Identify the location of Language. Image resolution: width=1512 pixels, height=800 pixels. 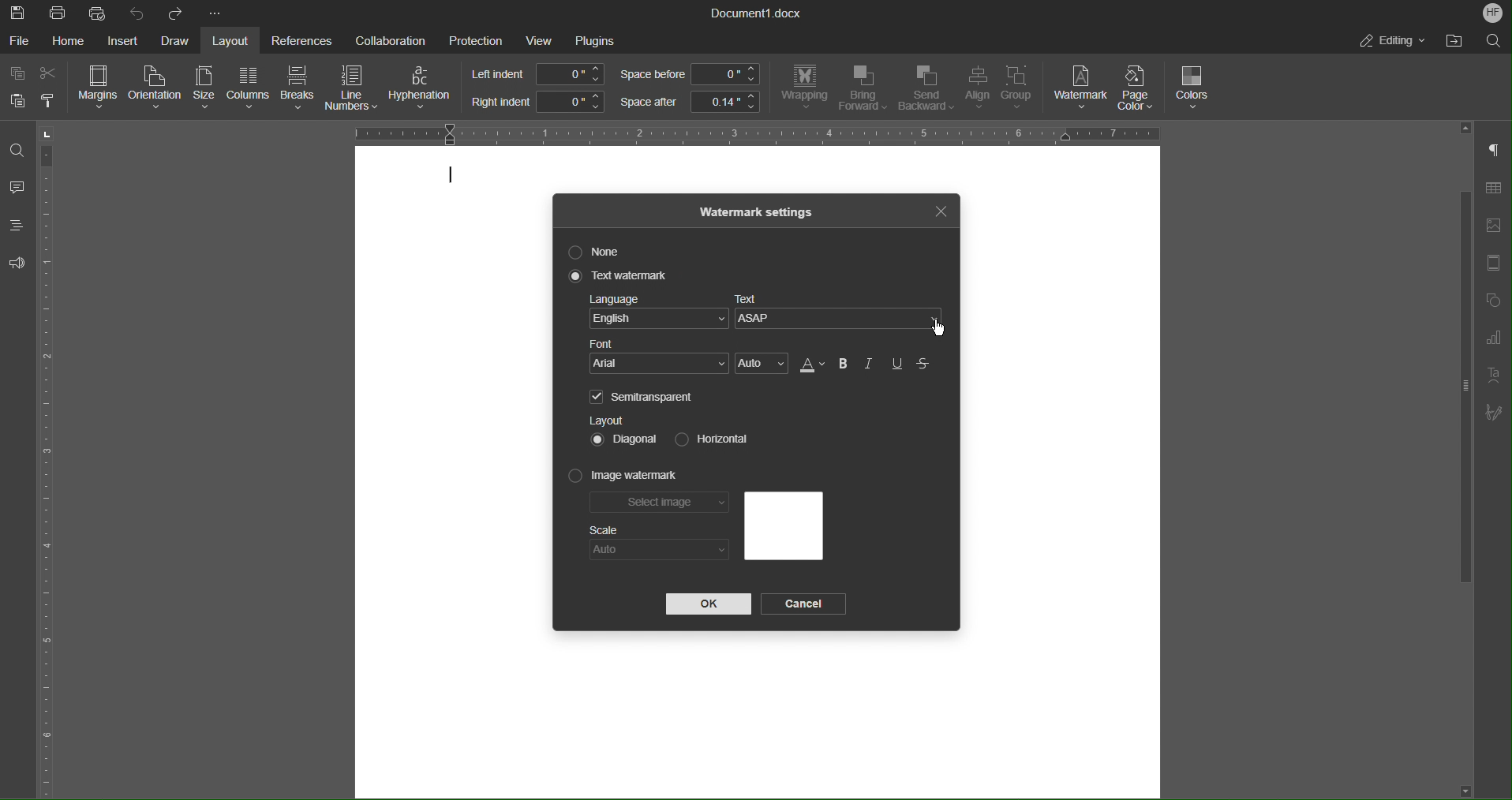
(658, 314).